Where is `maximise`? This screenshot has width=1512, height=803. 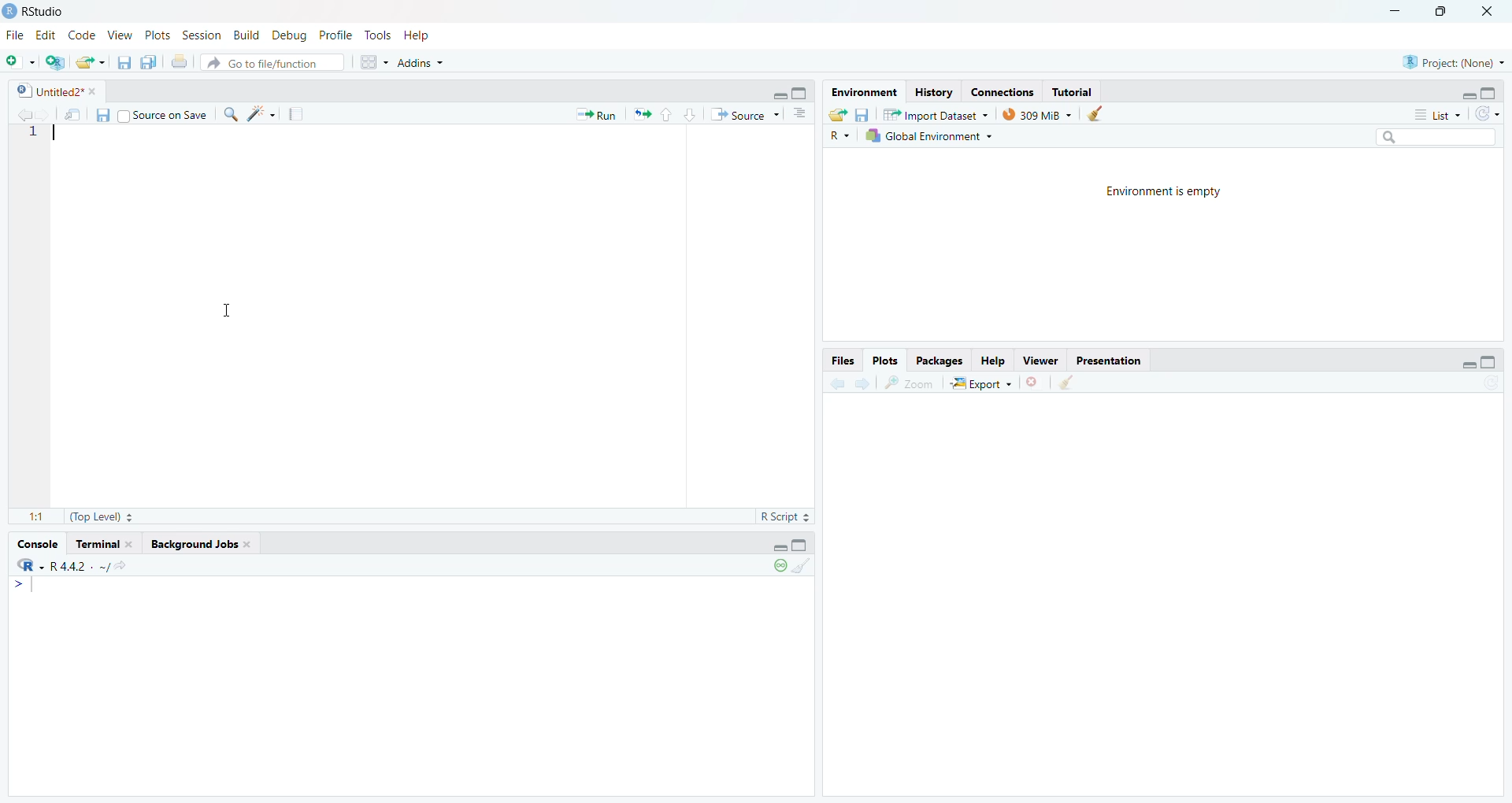
maximise is located at coordinates (1444, 12).